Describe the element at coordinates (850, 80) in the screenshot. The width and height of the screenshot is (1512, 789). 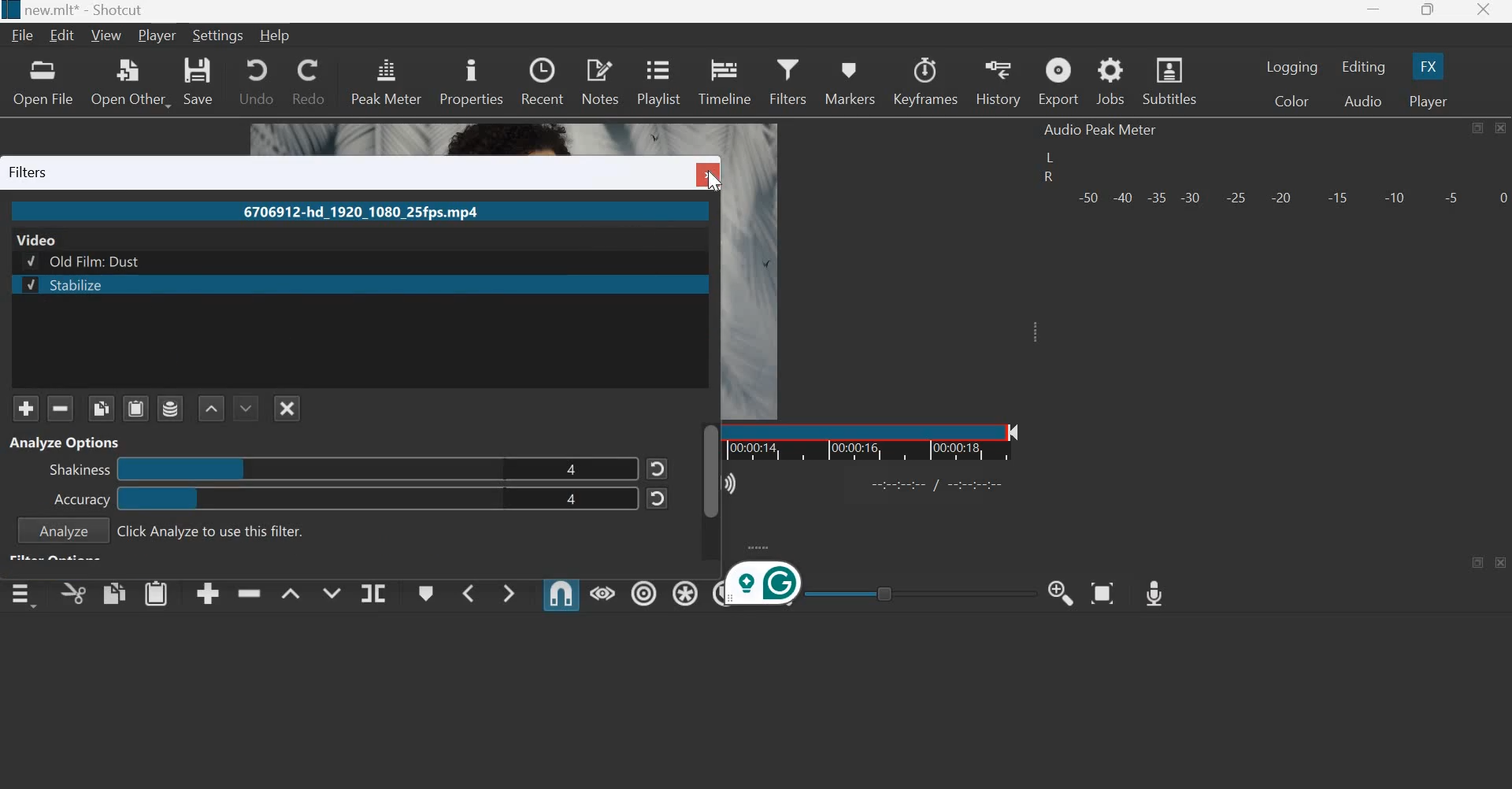
I see `Markers` at that location.